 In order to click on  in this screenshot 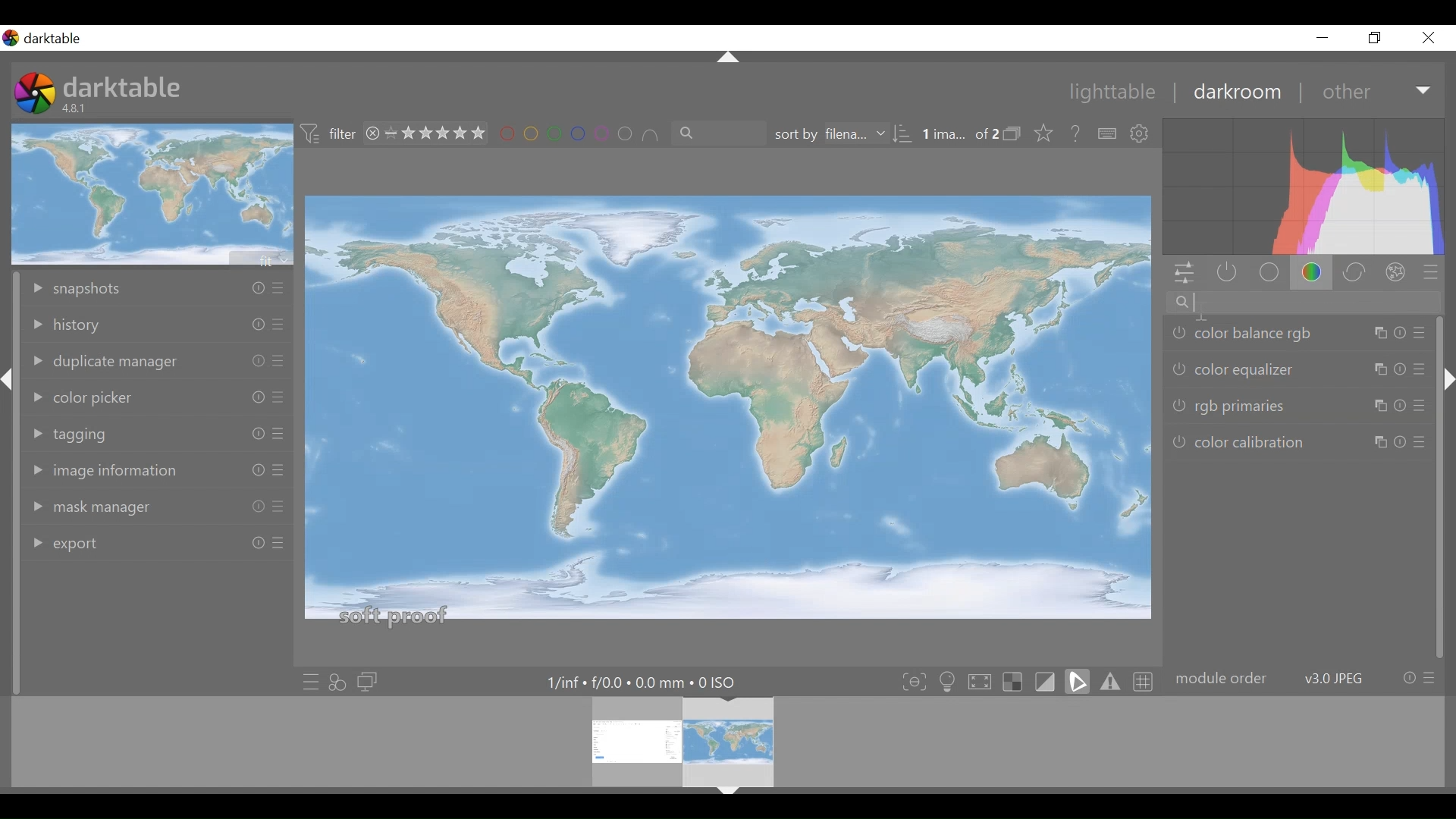, I will do `click(278, 399)`.